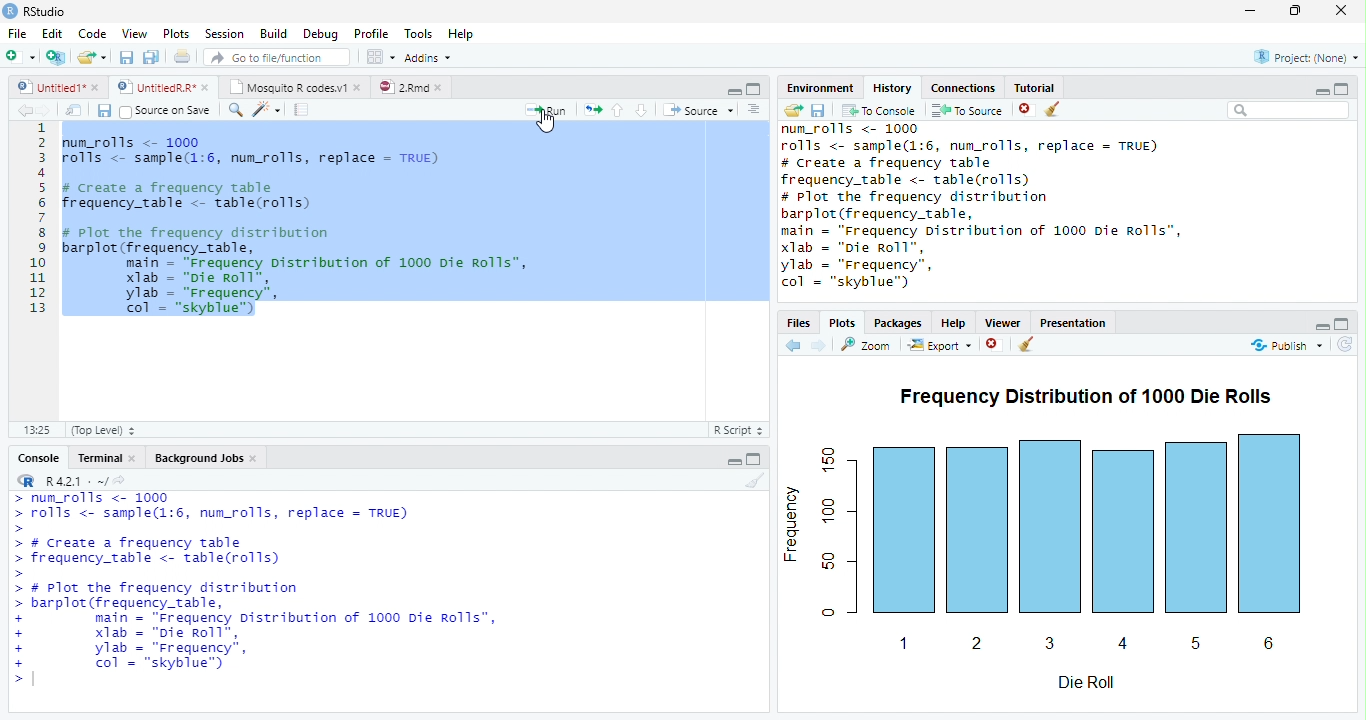 The width and height of the screenshot is (1366, 720). I want to click on Close, so click(1343, 11).